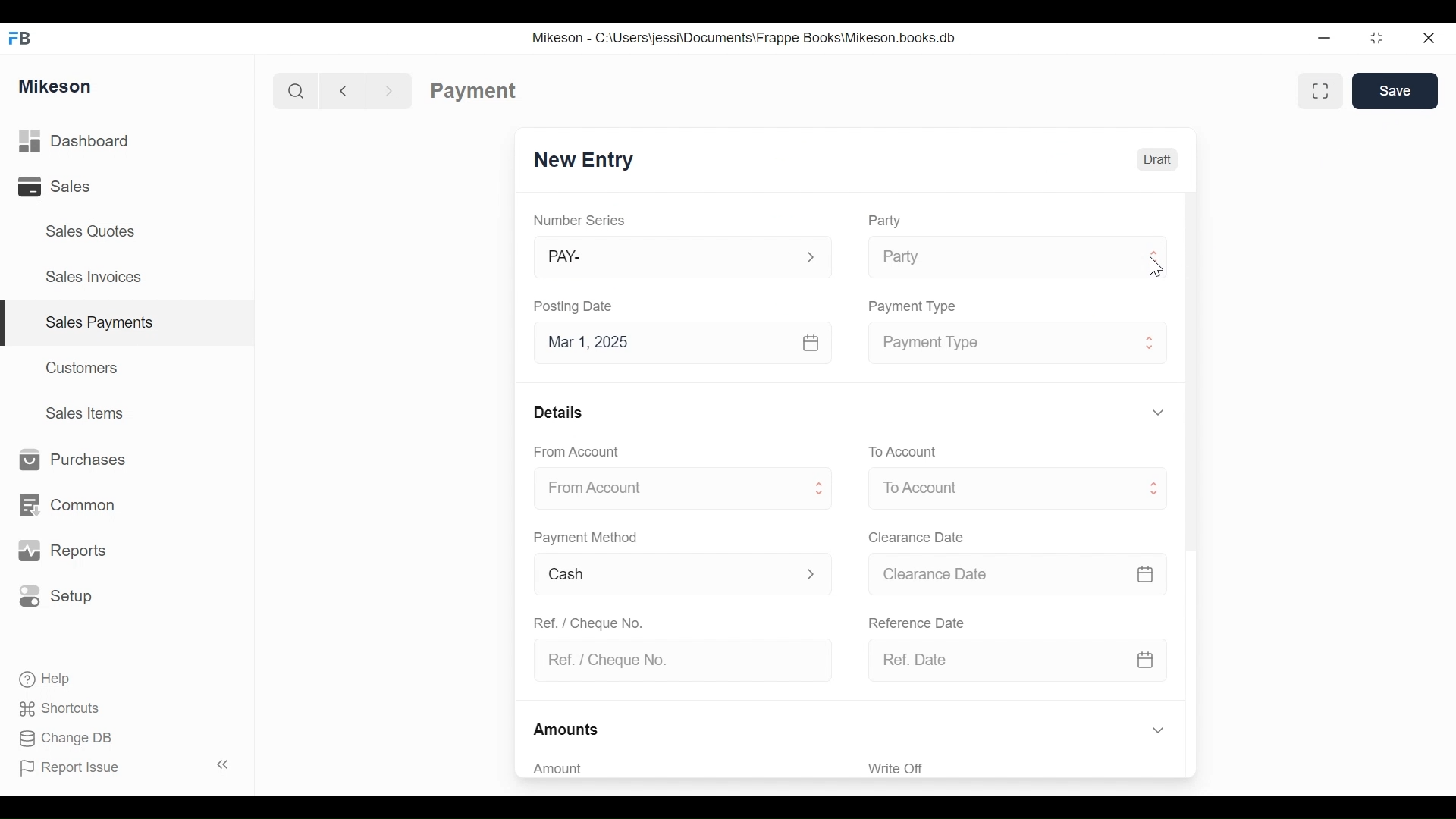  Describe the element at coordinates (291, 89) in the screenshot. I see `Search` at that location.